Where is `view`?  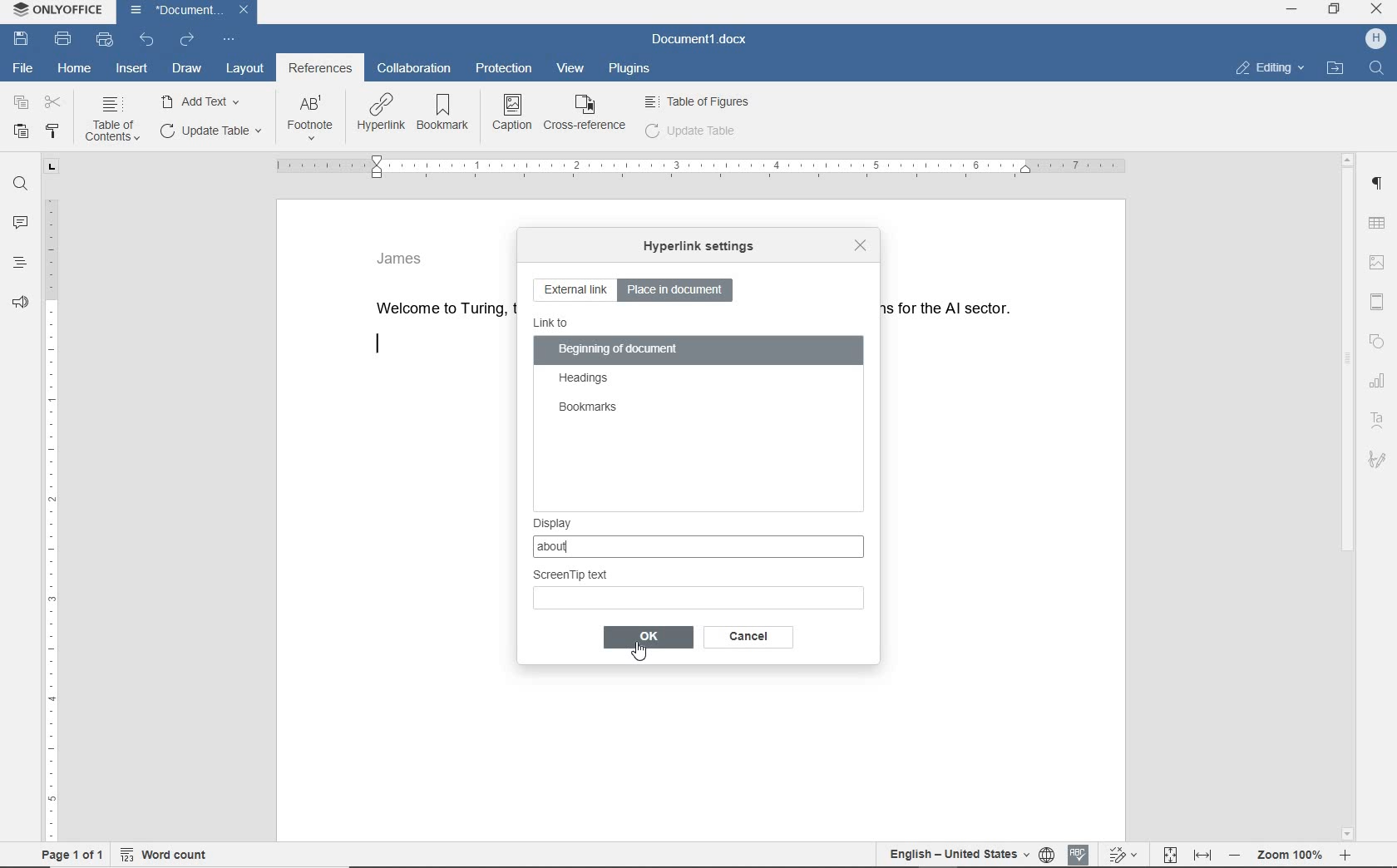
view is located at coordinates (568, 69).